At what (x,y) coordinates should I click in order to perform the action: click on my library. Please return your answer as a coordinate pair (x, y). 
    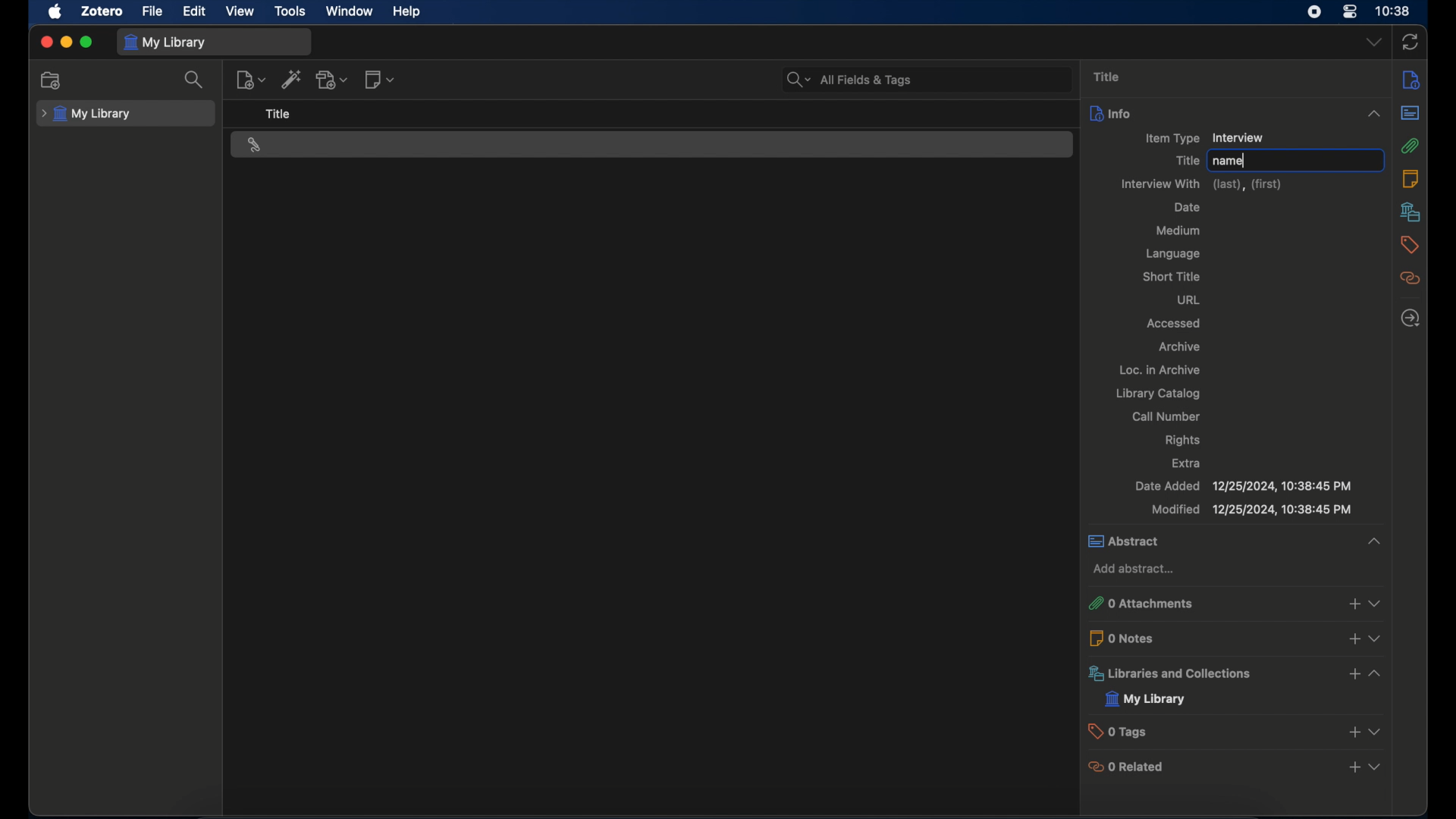
    Looking at the image, I should click on (86, 115).